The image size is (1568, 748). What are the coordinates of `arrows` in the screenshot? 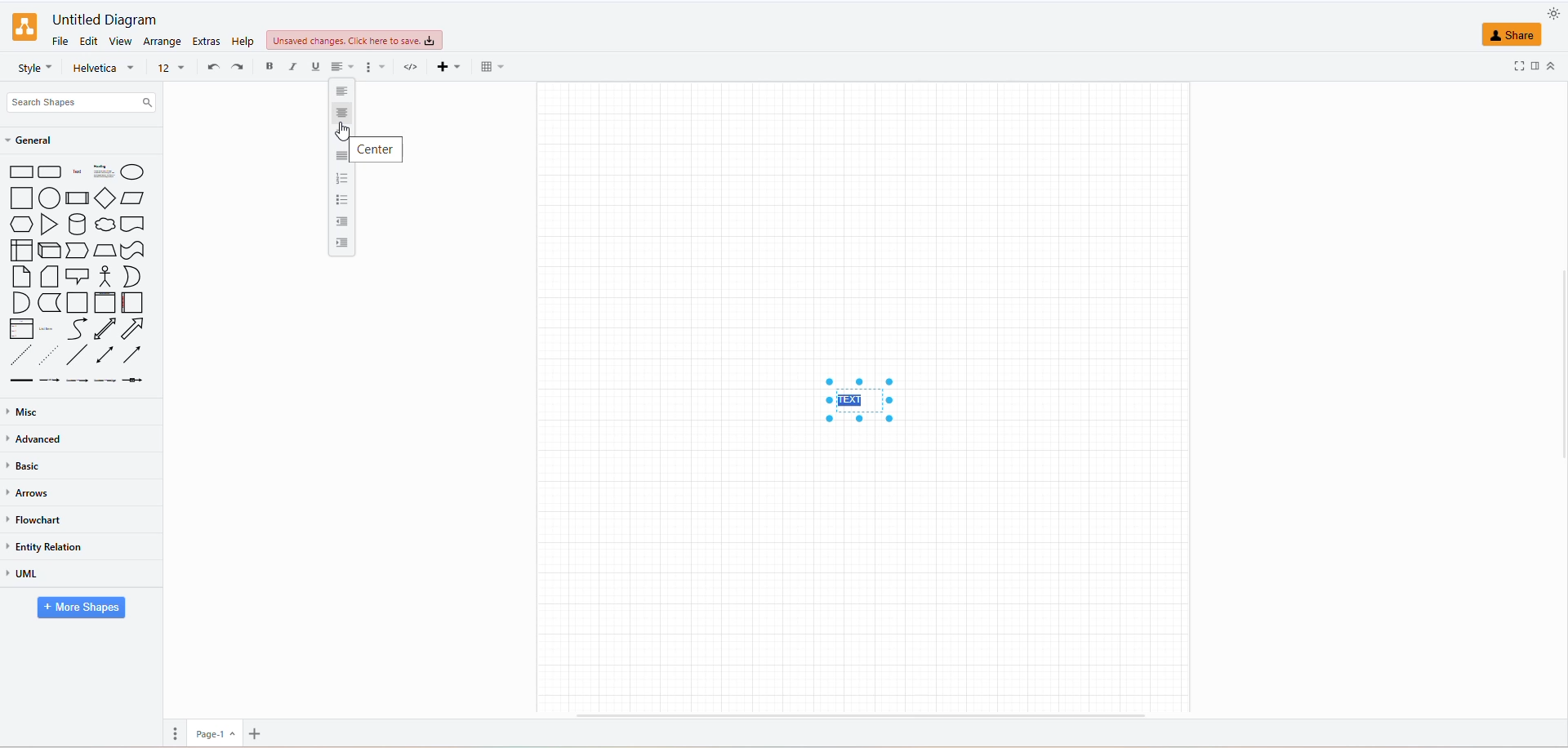 It's located at (32, 494).